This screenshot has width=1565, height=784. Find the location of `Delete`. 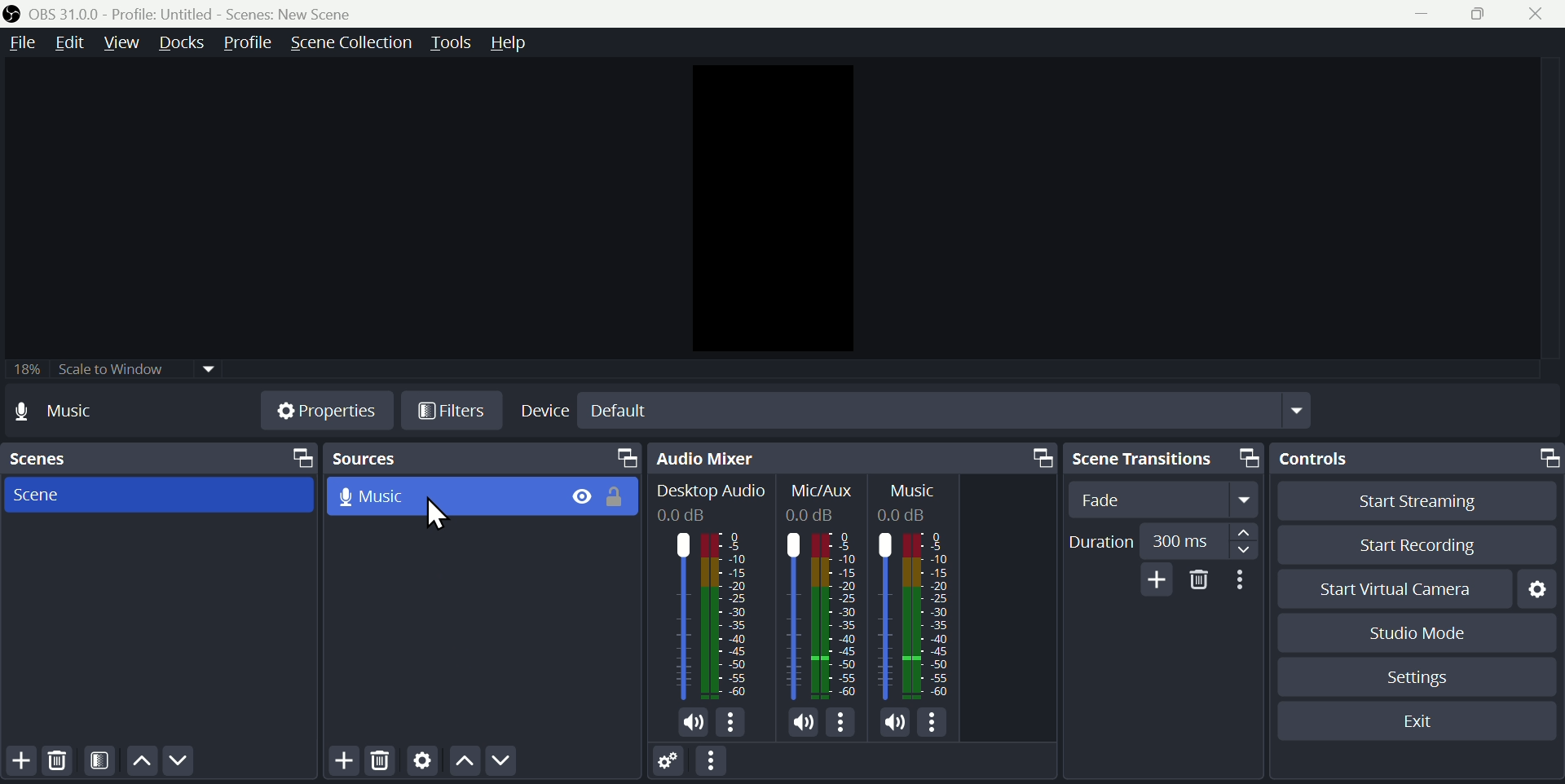

Delete is located at coordinates (1199, 580).